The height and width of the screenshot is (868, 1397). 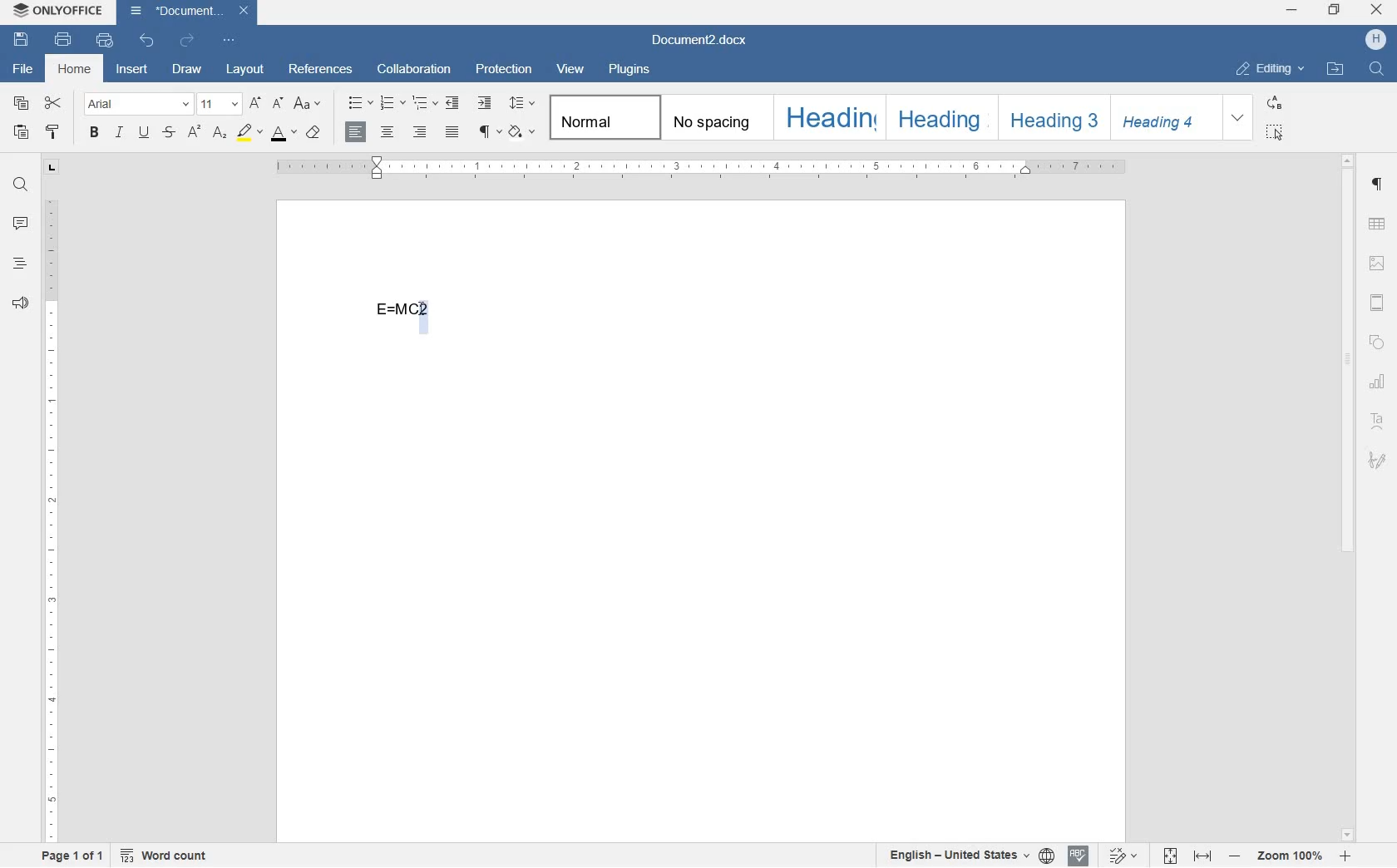 What do you see at coordinates (1277, 131) in the screenshot?
I see `select all` at bounding box center [1277, 131].